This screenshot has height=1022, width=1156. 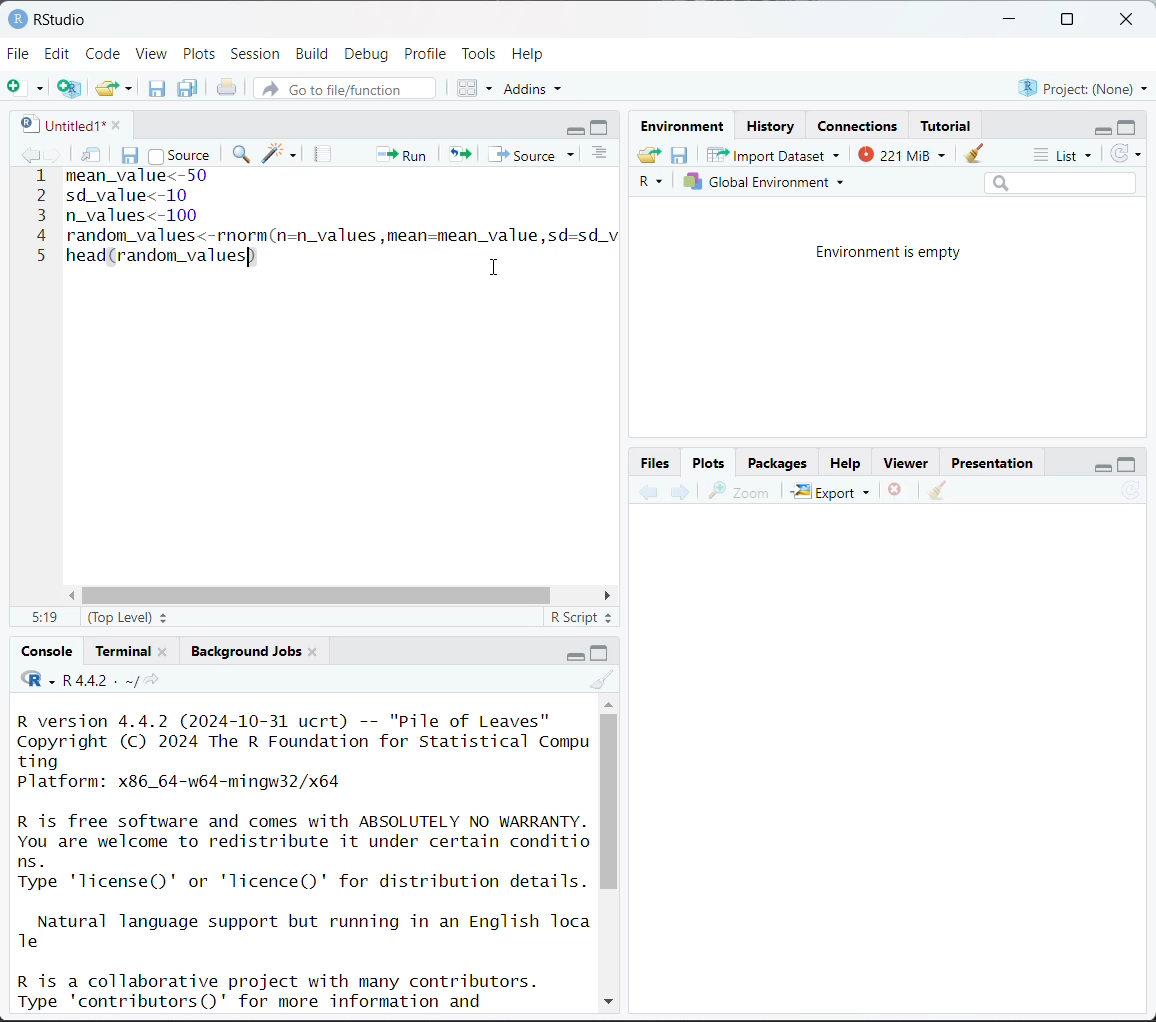 I want to click on refresh current plot, so click(x=1131, y=493).